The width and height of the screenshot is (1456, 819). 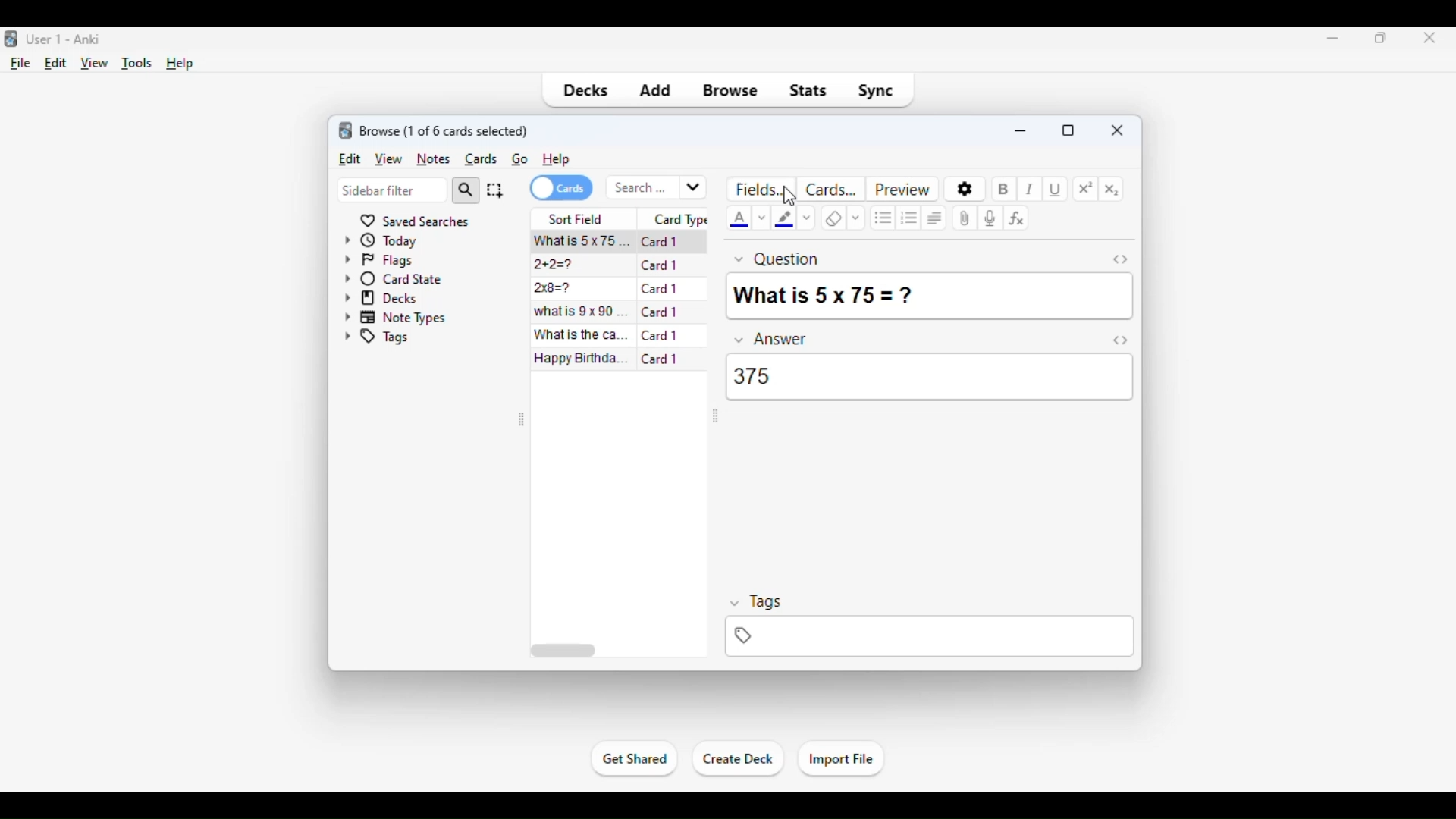 I want to click on close, so click(x=1425, y=39).